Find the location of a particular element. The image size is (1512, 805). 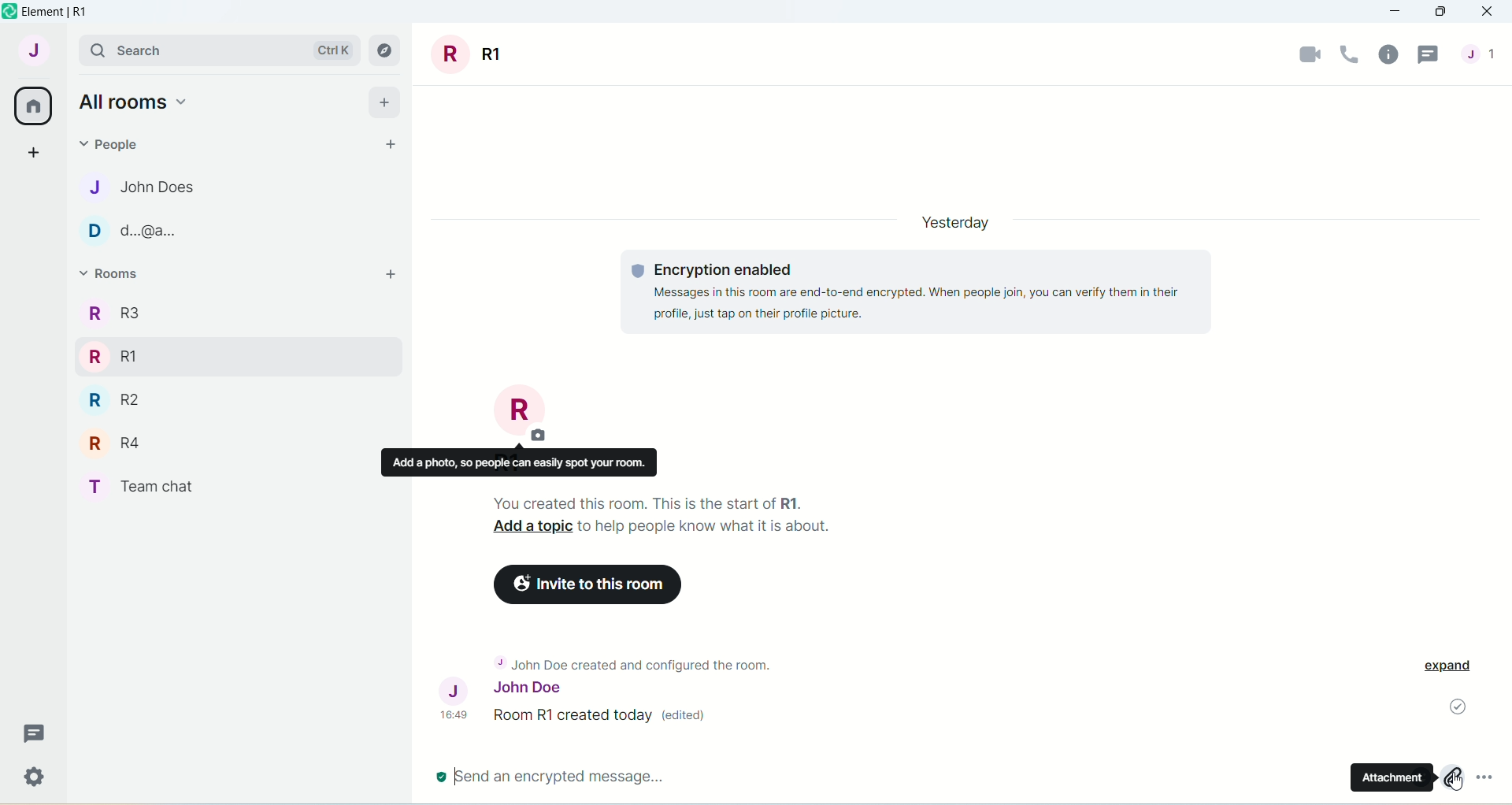

create a space is located at coordinates (35, 151).